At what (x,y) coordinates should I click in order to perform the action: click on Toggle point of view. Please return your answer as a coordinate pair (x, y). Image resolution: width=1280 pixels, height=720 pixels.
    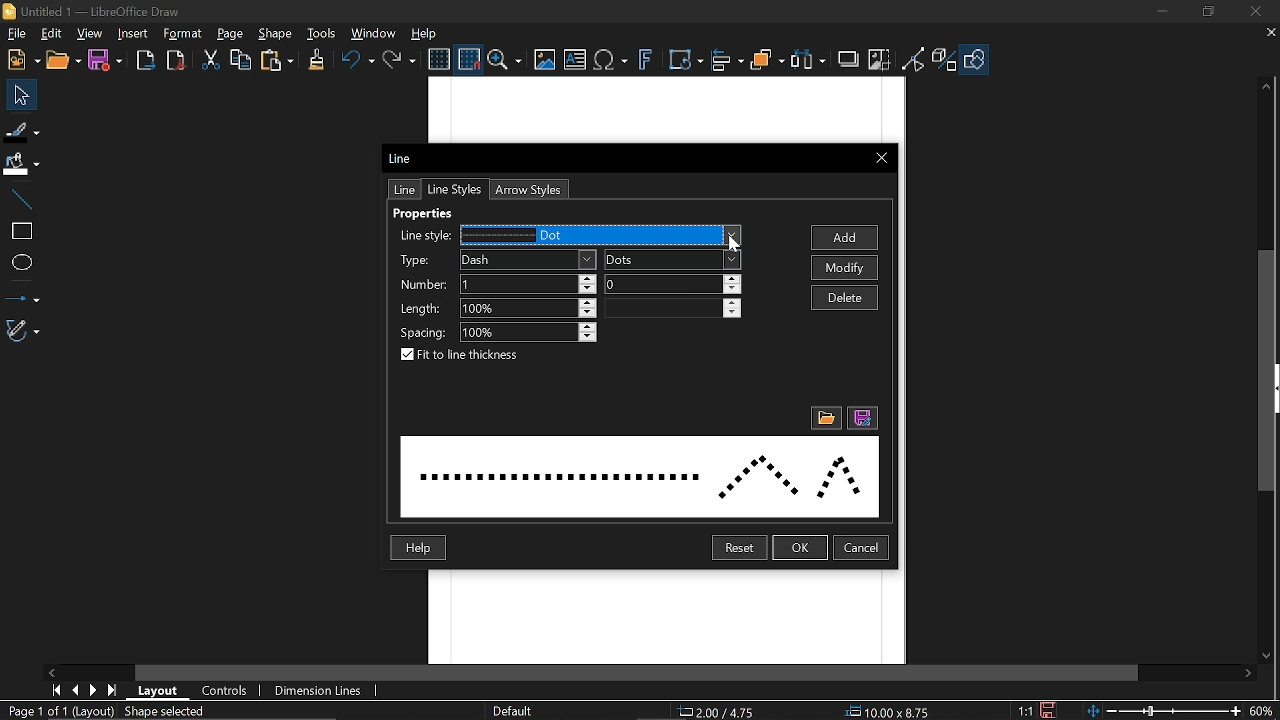
    Looking at the image, I should click on (914, 60).